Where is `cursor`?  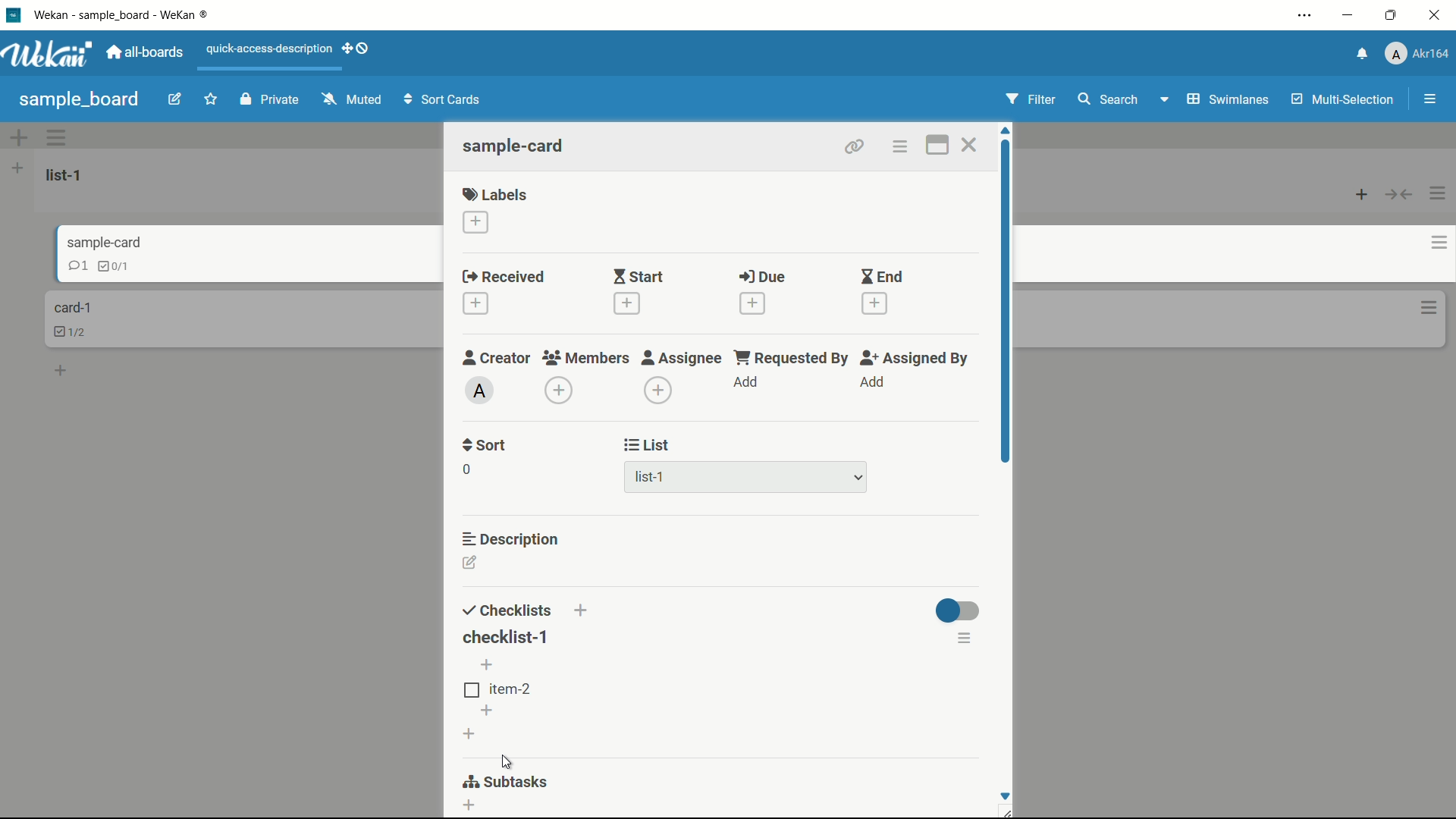 cursor is located at coordinates (506, 760).